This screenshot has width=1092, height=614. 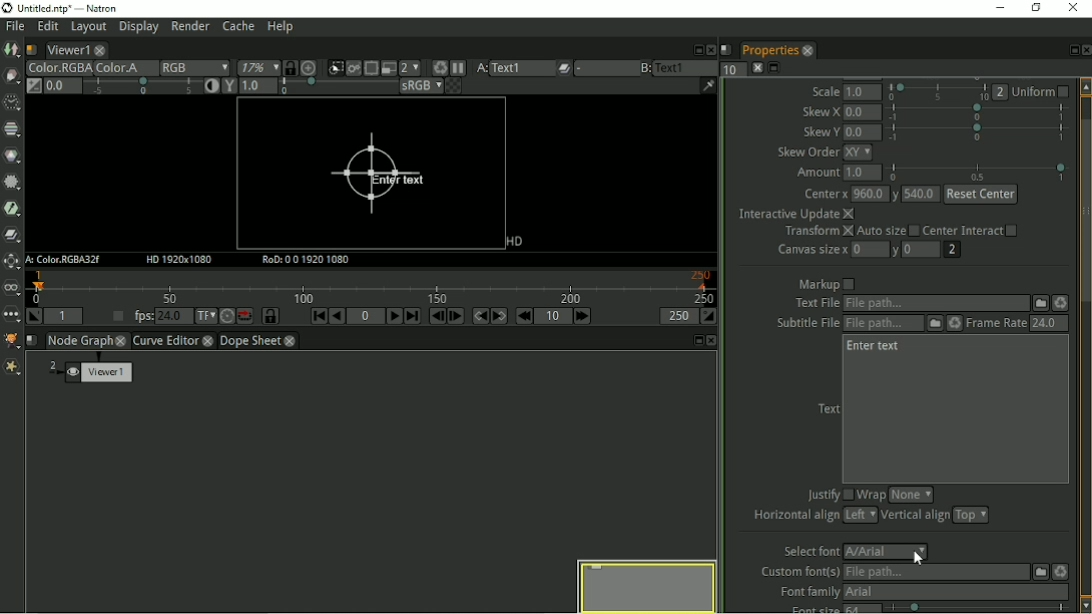 I want to click on Justify, so click(x=829, y=493).